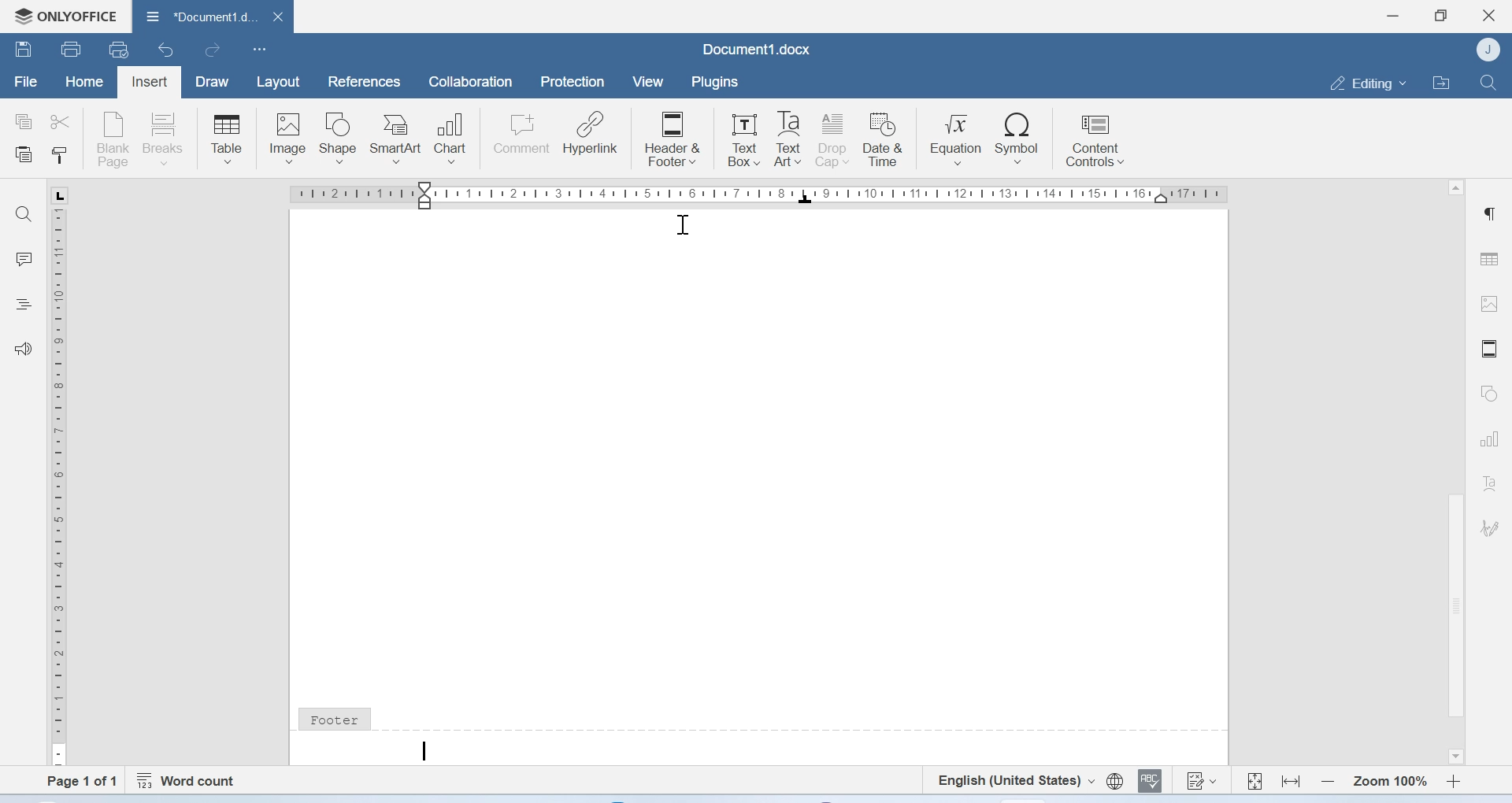 The image size is (1512, 803). Describe the element at coordinates (216, 81) in the screenshot. I see `Draw` at that location.